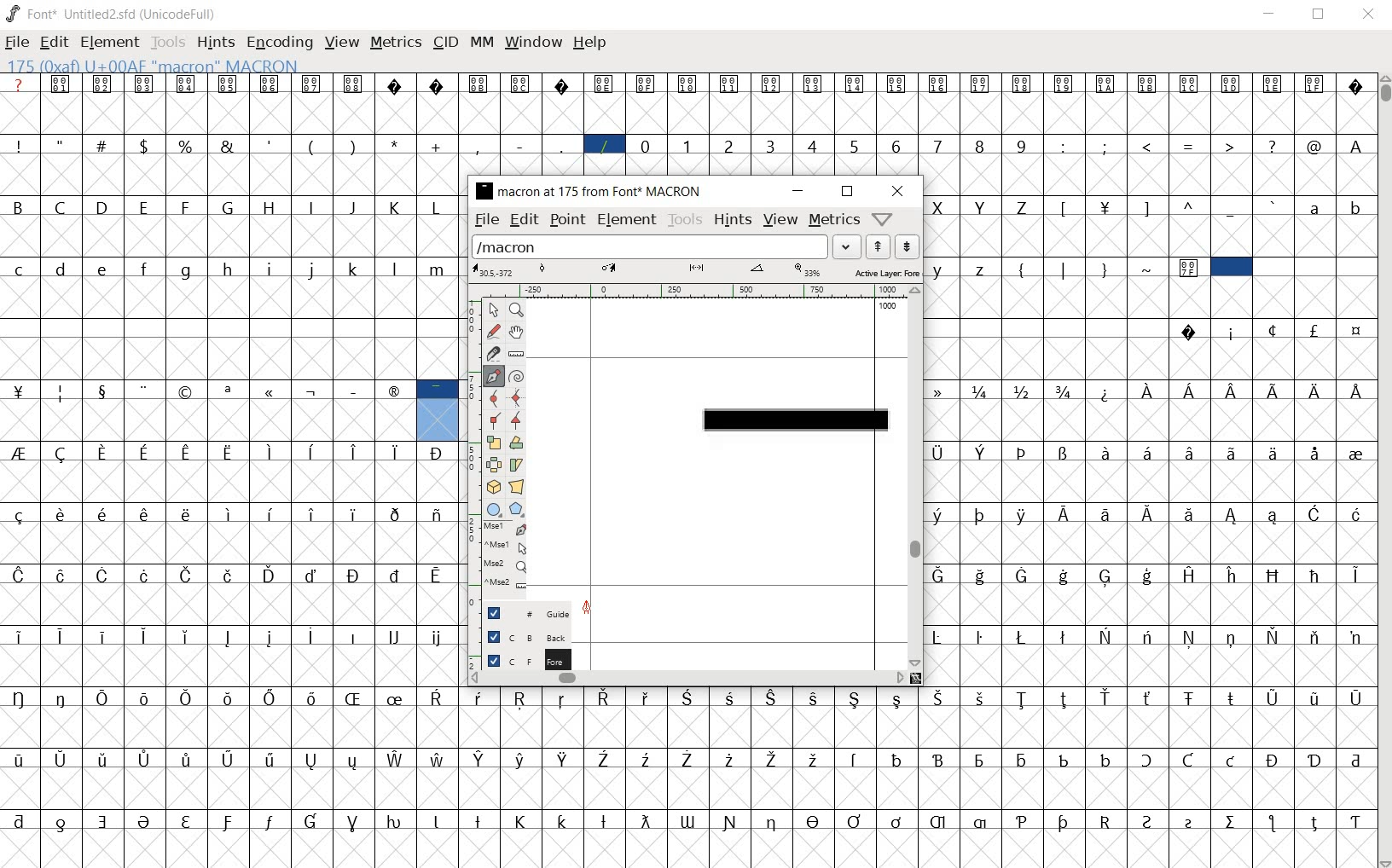 This screenshot has width=1392, height=868. Describe the element at coordinates (315, 574) in the screenshot. I see `Symbol` at that location.